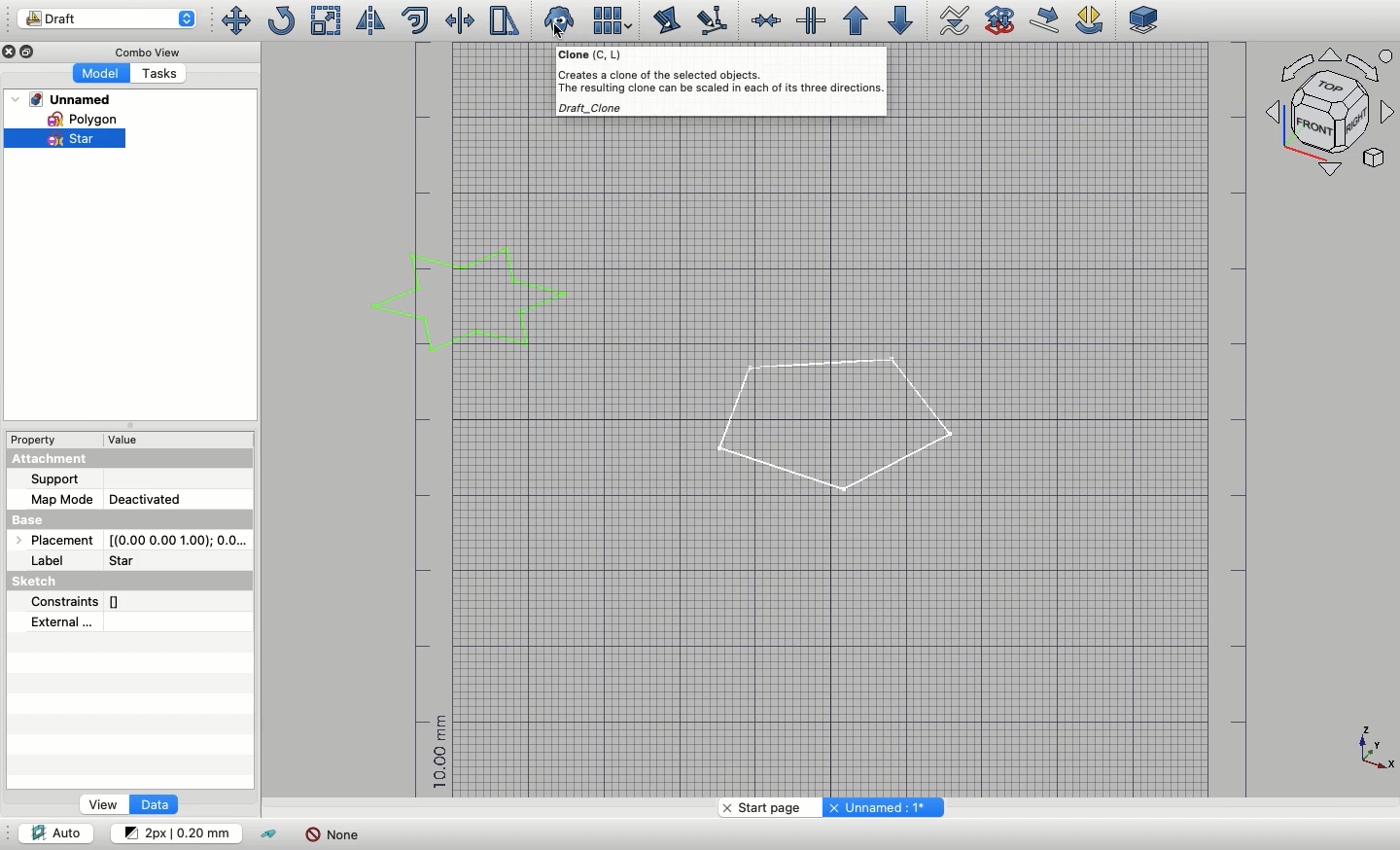 Image resolution: width=1400 pixels, height=850 pixels. I want to click on Star, so click(65, 138).